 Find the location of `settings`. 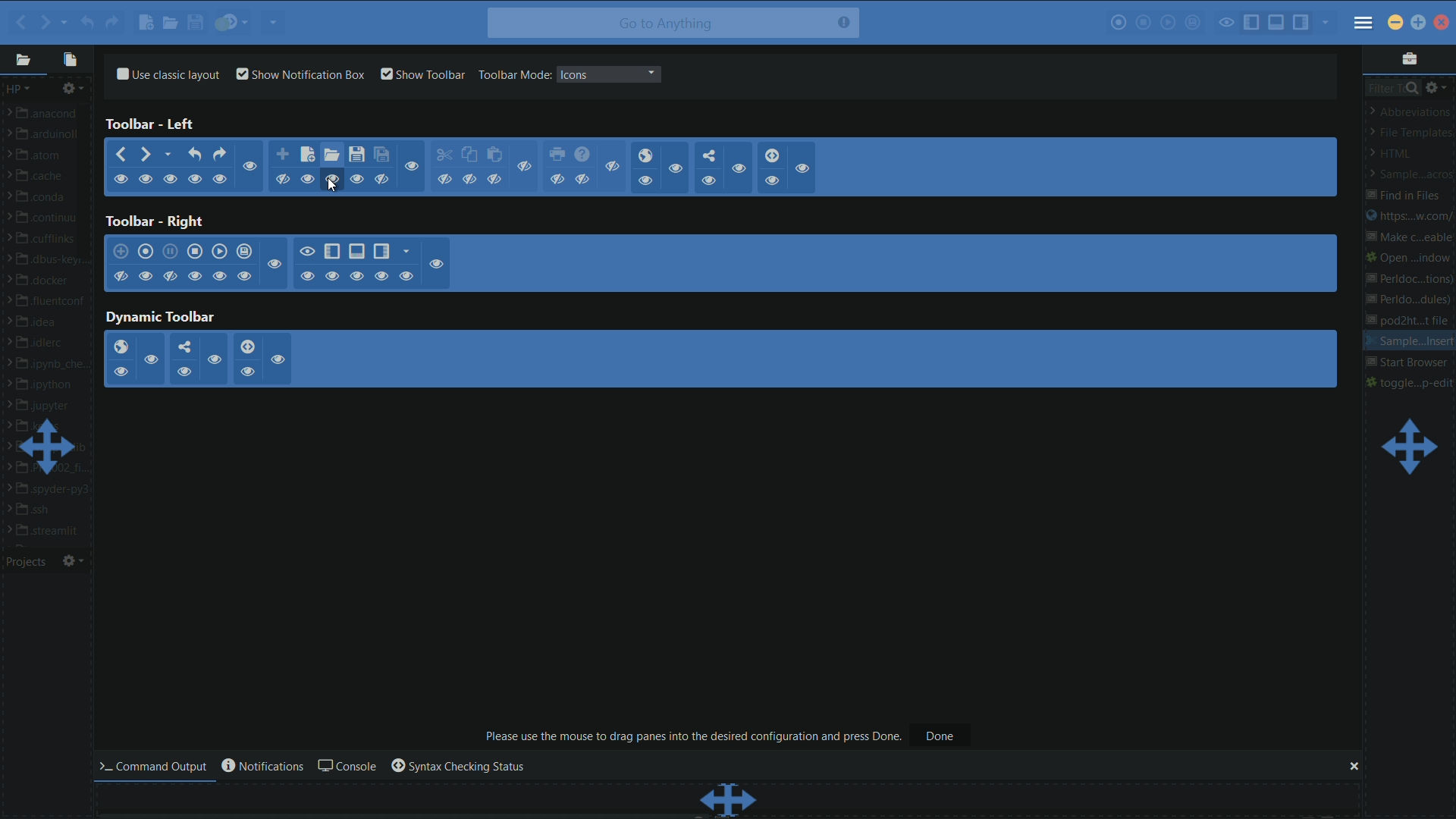

settings is located at coordinates (1437, 86).